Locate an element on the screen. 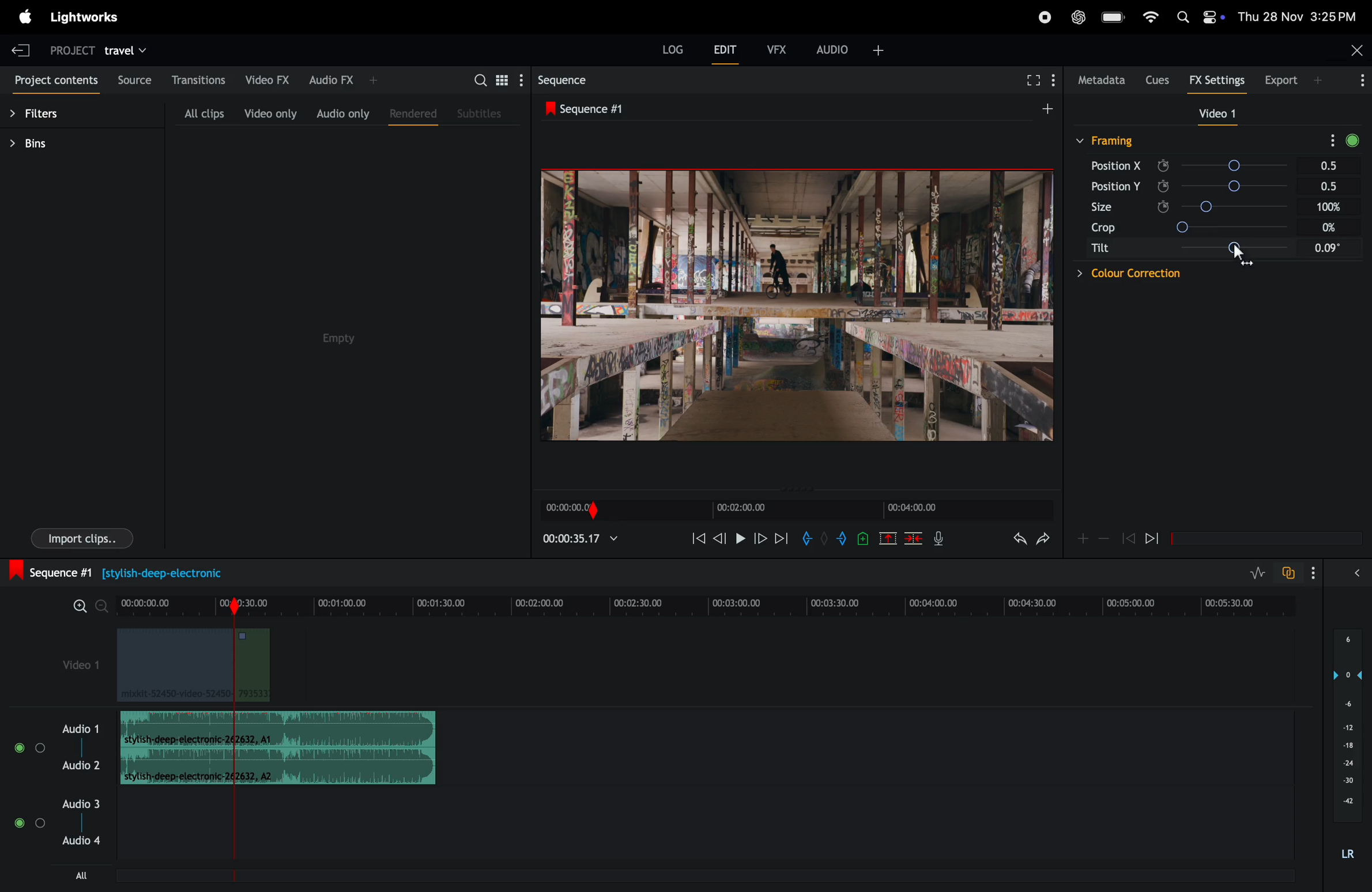 This screenshot has height=892, width=1372. forward is located at coordinates (782, 541).